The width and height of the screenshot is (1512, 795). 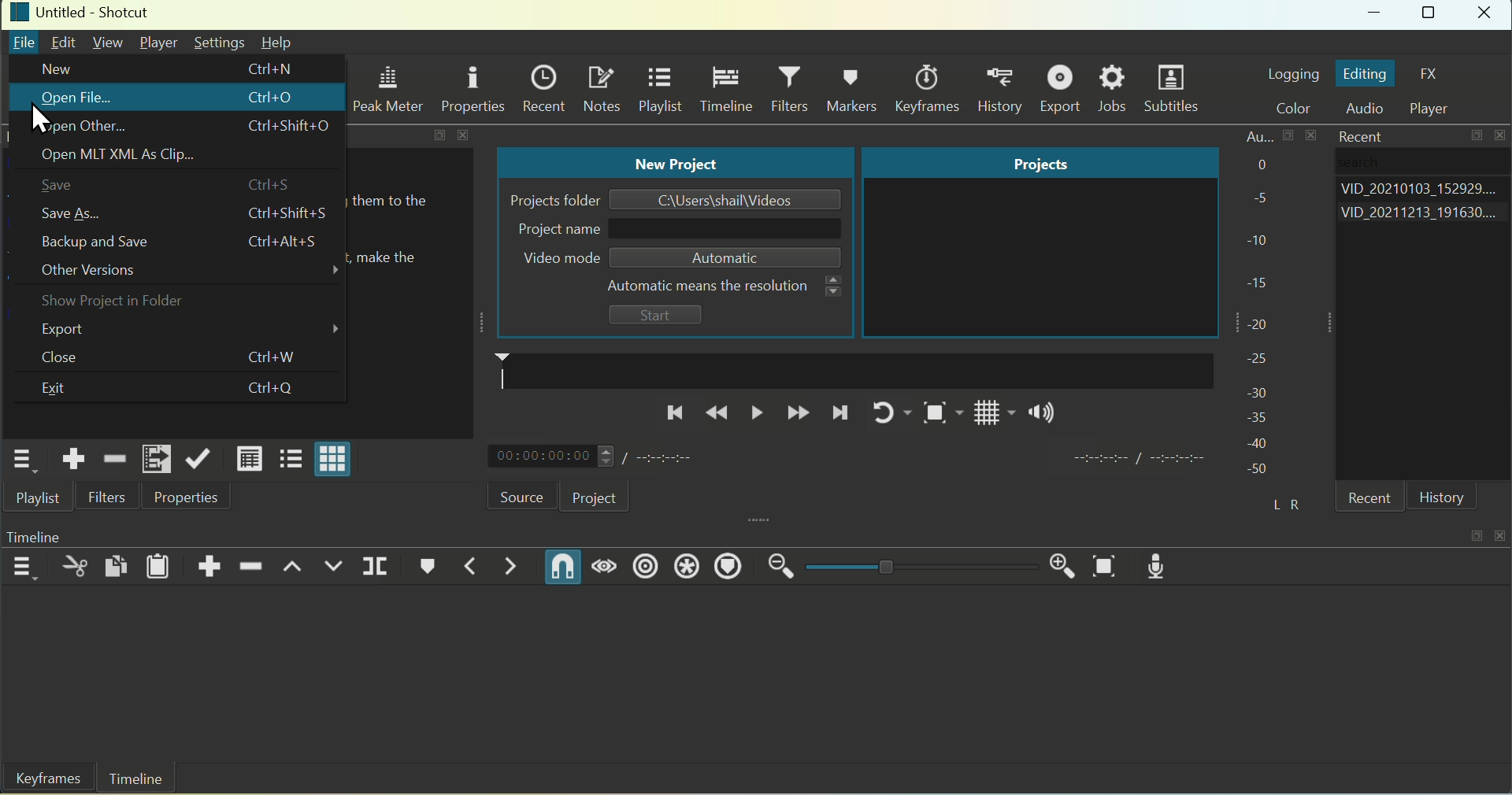 What do you see at coordinates (278, 185) in the screenshot?
I see `Ctrl+S` at bounding box center [278, 185].